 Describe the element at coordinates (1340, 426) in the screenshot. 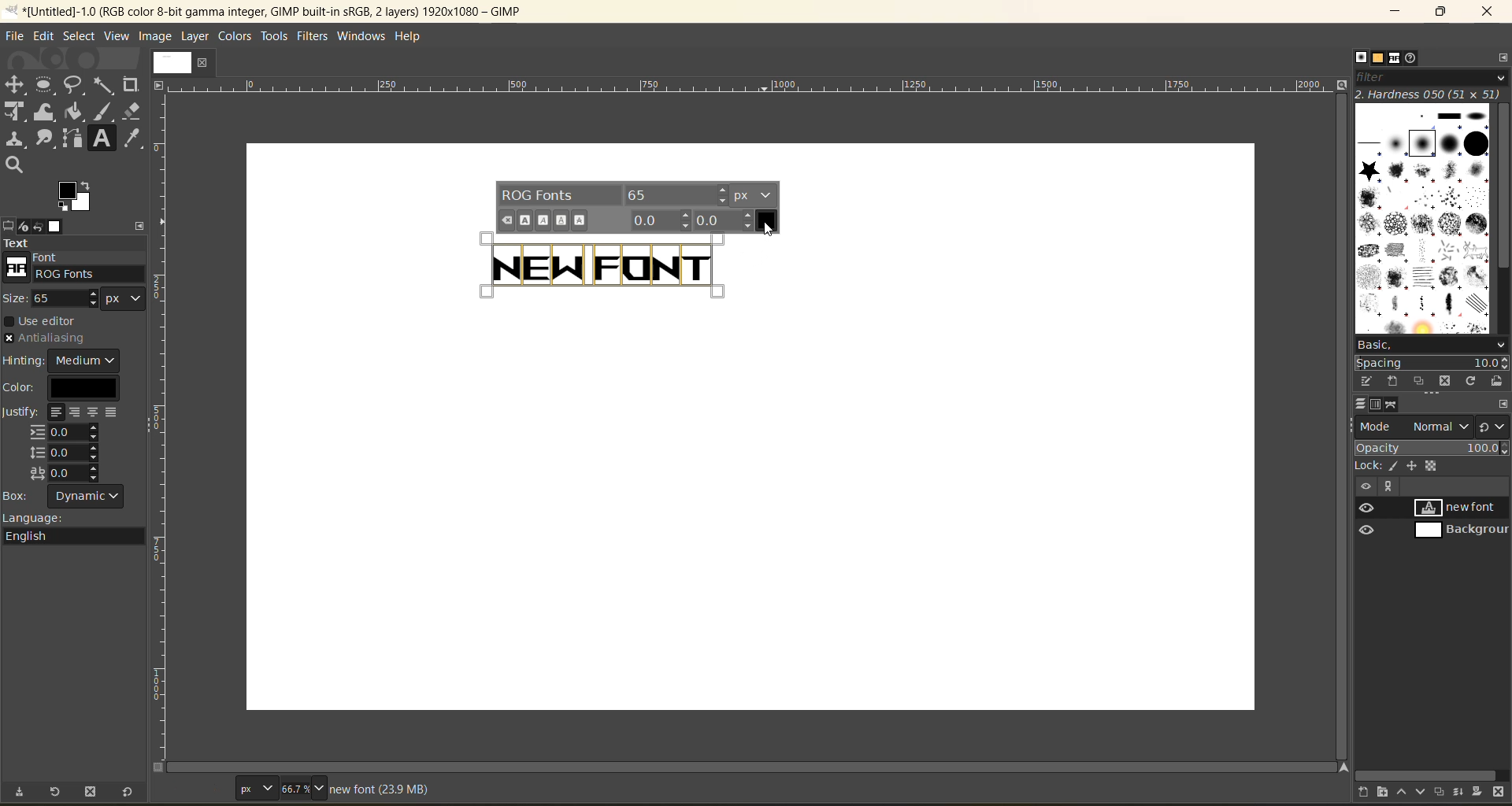

I see `vertical scroll bar` at that location.